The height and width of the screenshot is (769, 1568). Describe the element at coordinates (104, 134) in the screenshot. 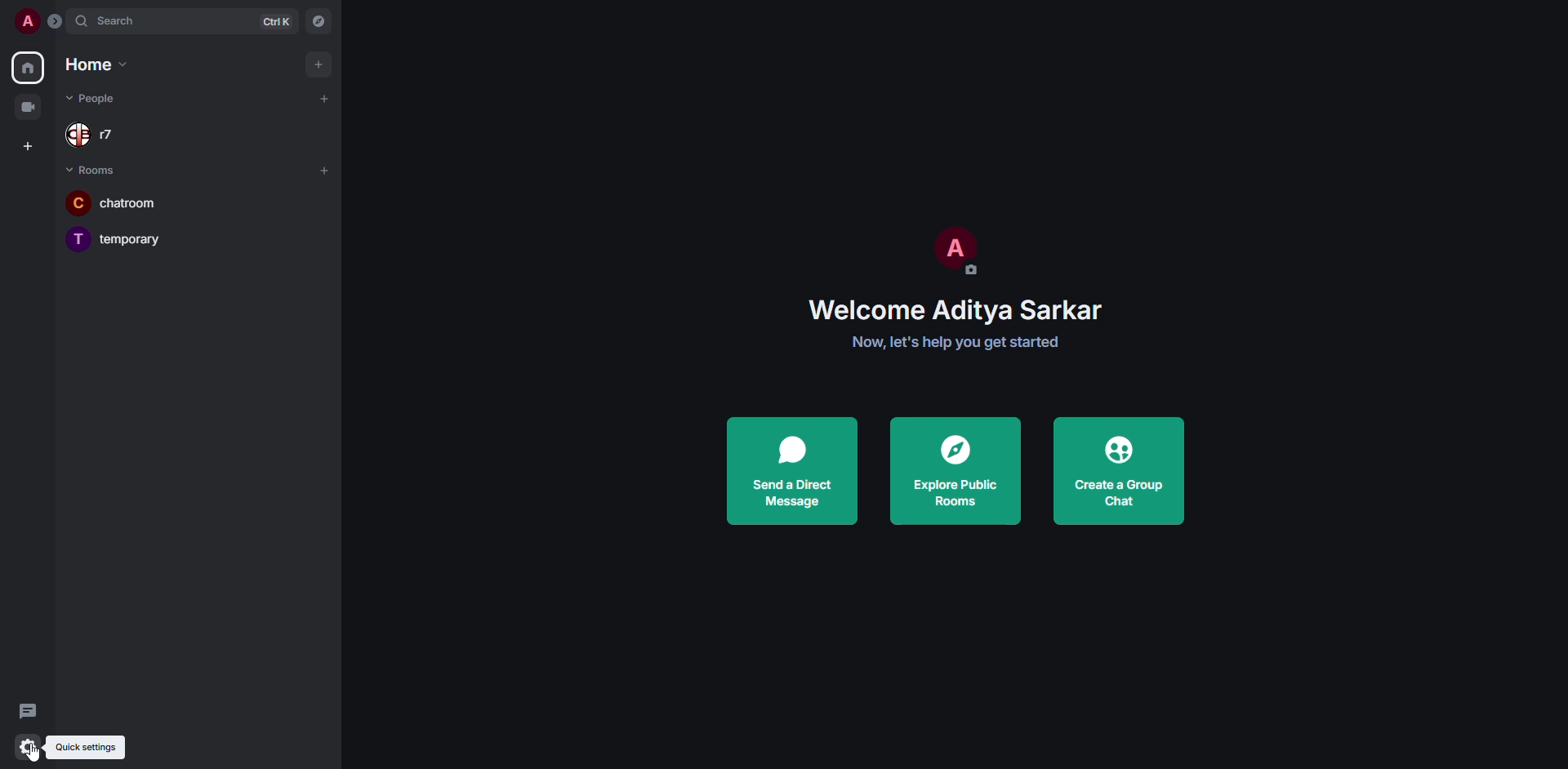

I see `people` at that location.